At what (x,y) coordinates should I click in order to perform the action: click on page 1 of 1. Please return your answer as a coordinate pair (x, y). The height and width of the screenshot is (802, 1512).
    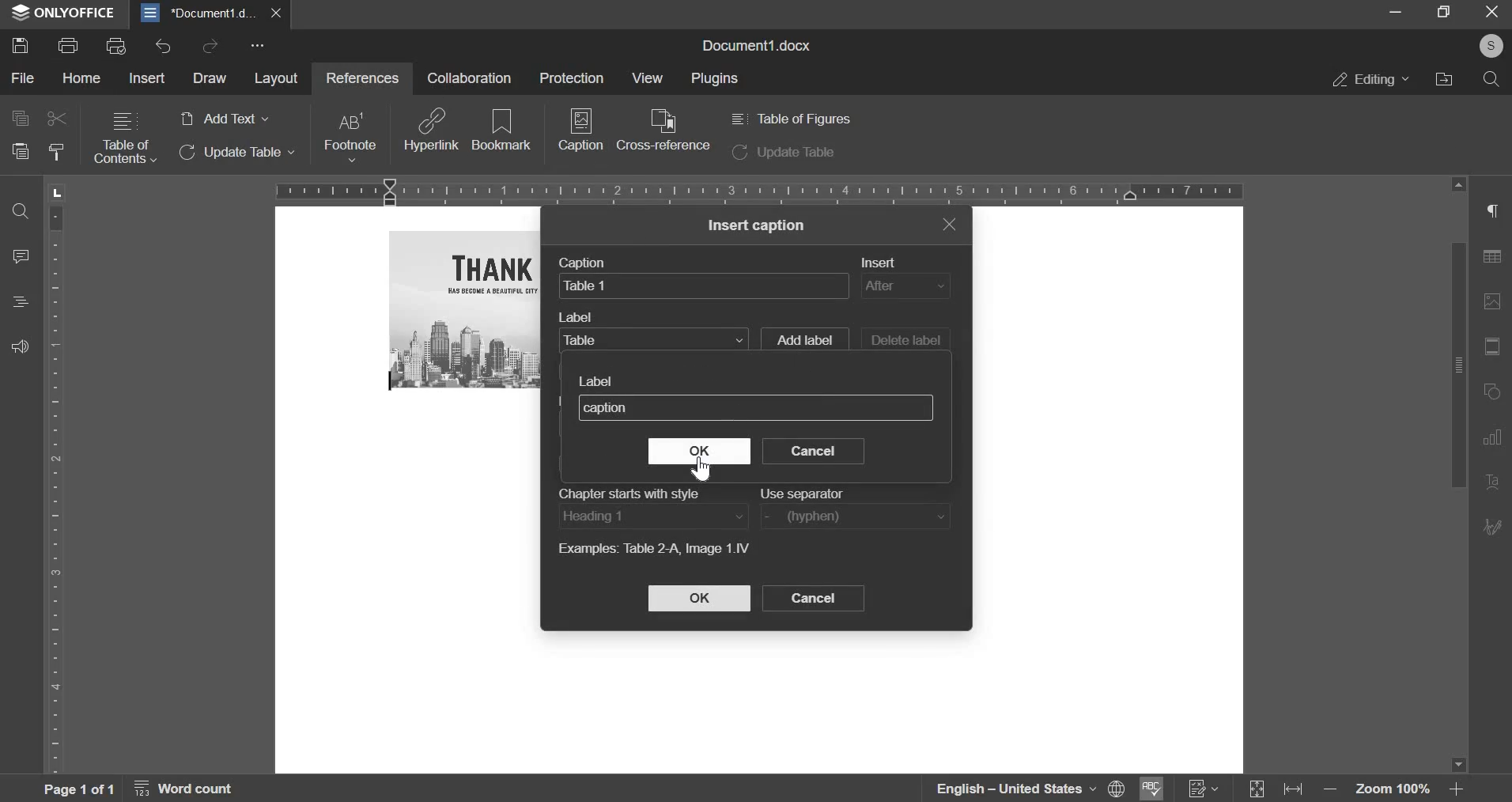
    Looking at the image, I should click on (76, 789).